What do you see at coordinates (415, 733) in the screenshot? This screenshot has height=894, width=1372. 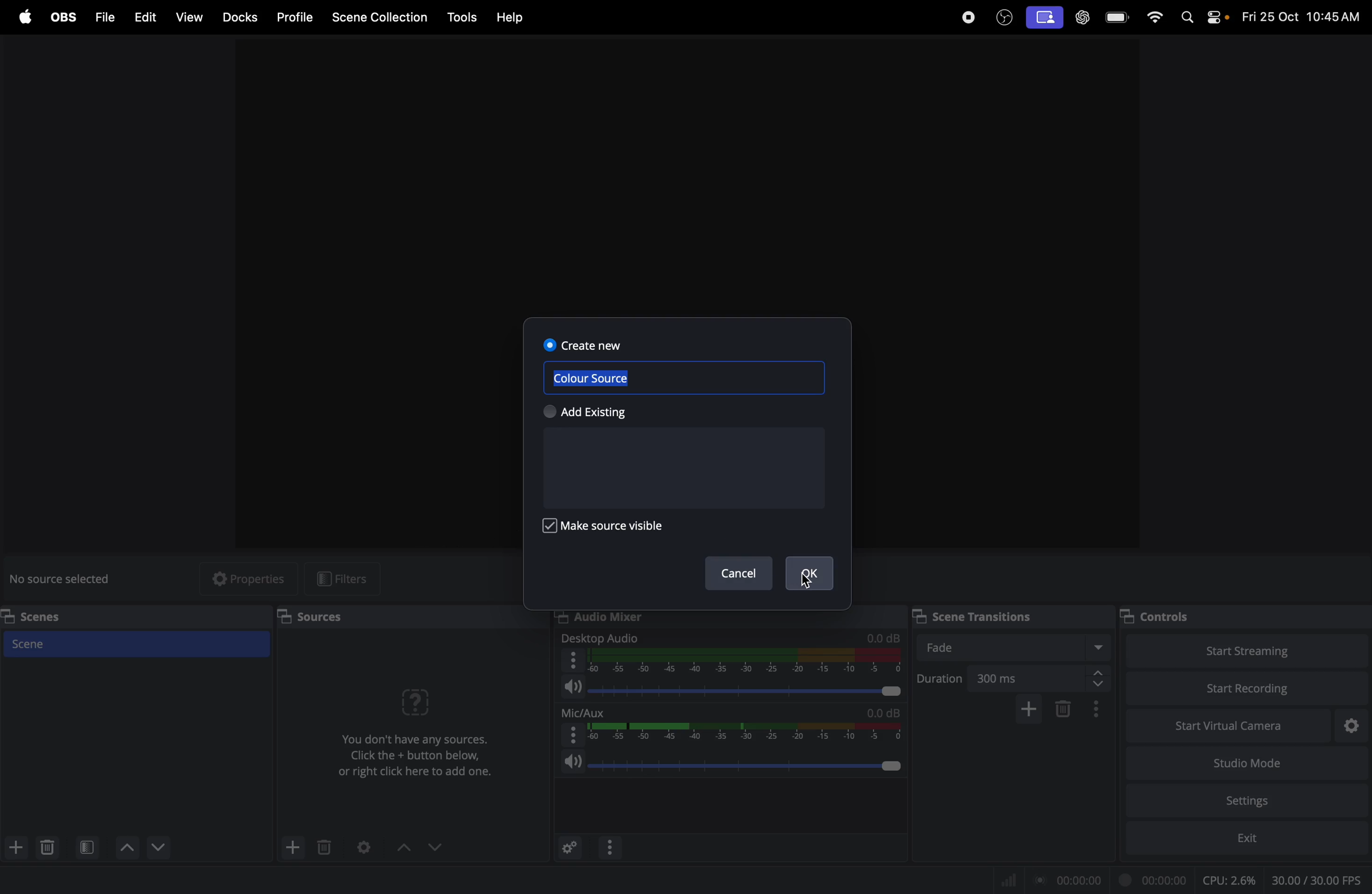 I see `No sources were added` at bounding box center [415, 733].